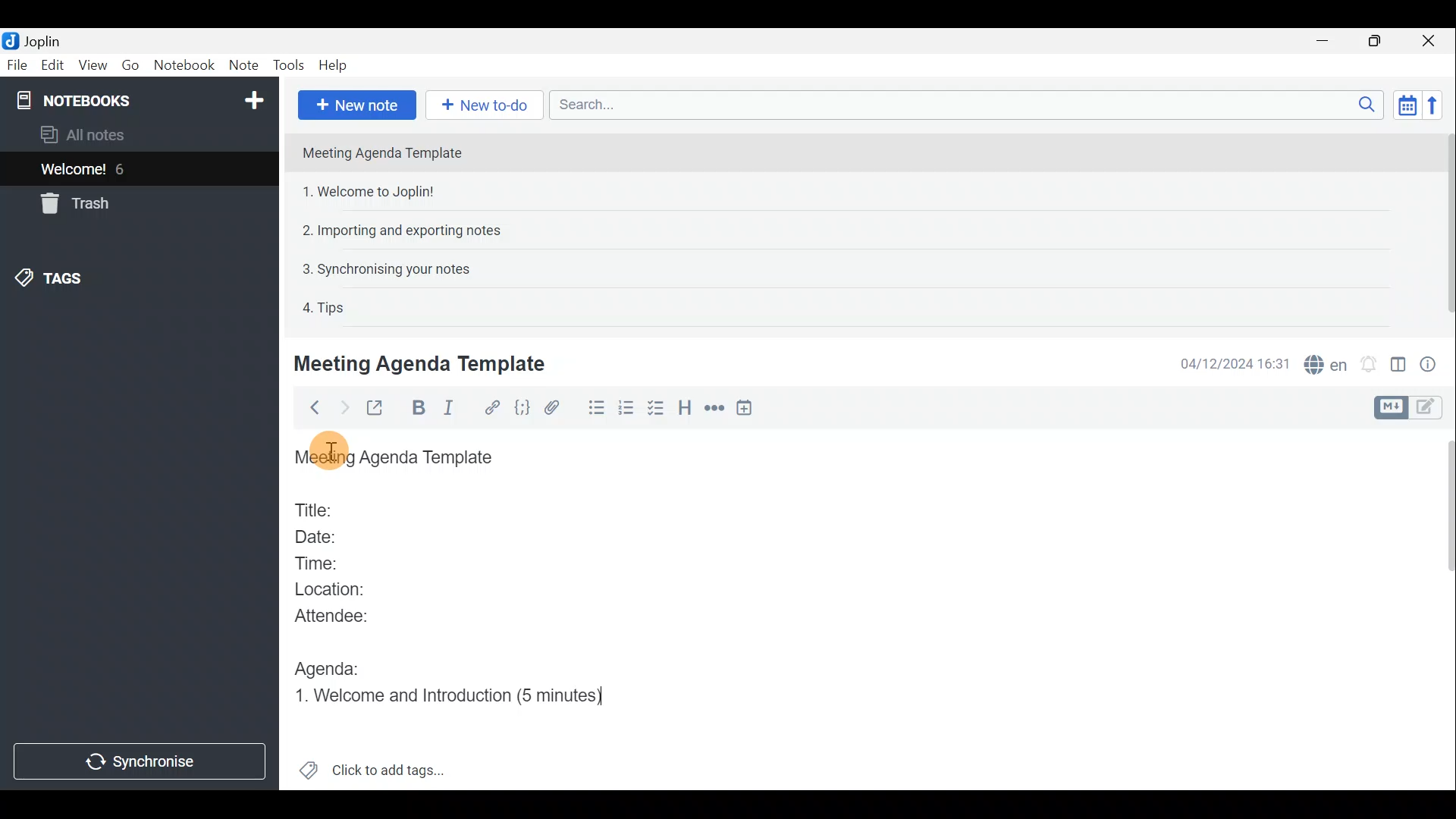 The height and width of the screenshot is (819, 1456). I want to click on Bulleted list, so click(595, 408).